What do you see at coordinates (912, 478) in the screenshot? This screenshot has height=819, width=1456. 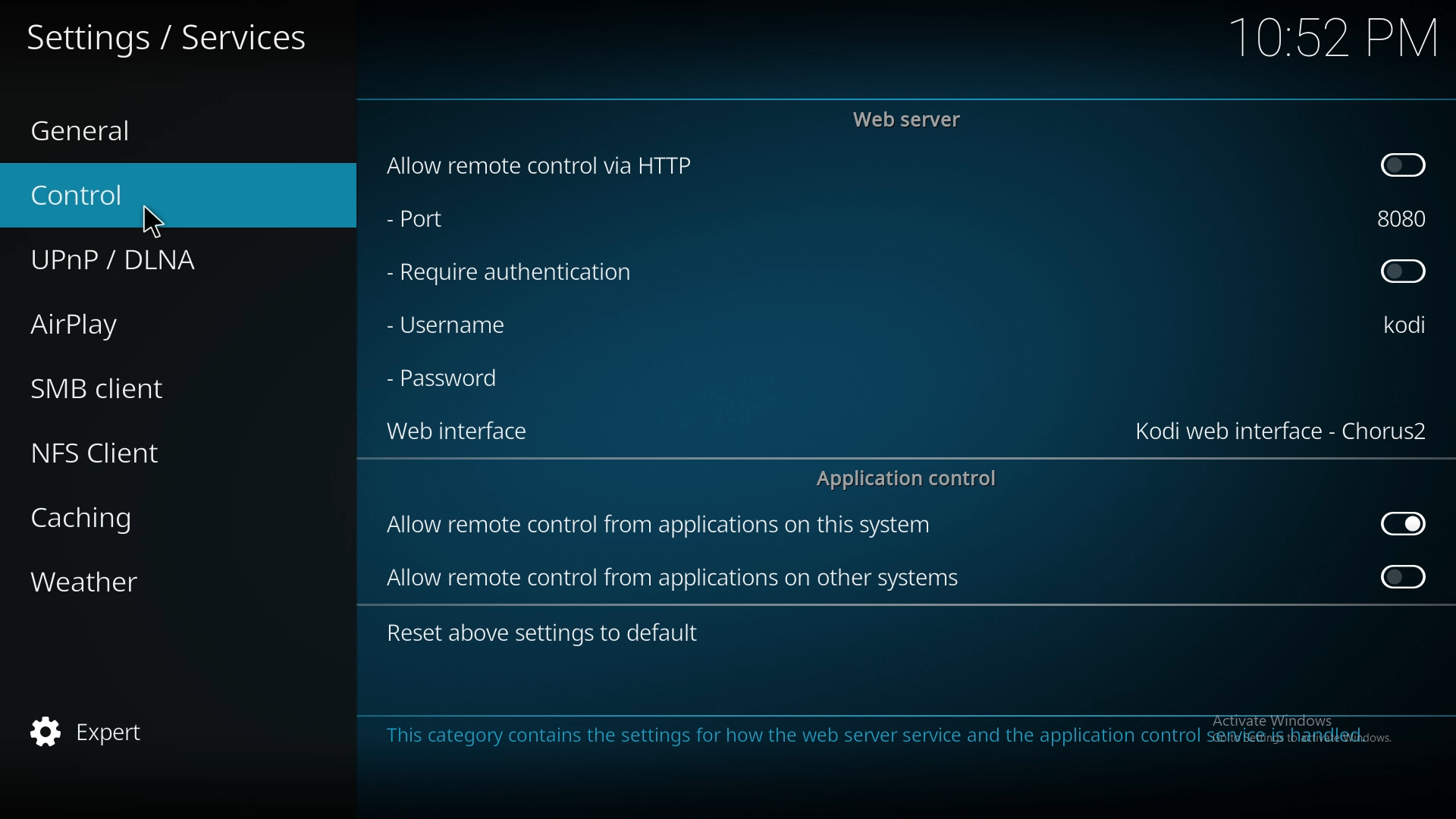 I see `application control` at bounding box center [912, 478].